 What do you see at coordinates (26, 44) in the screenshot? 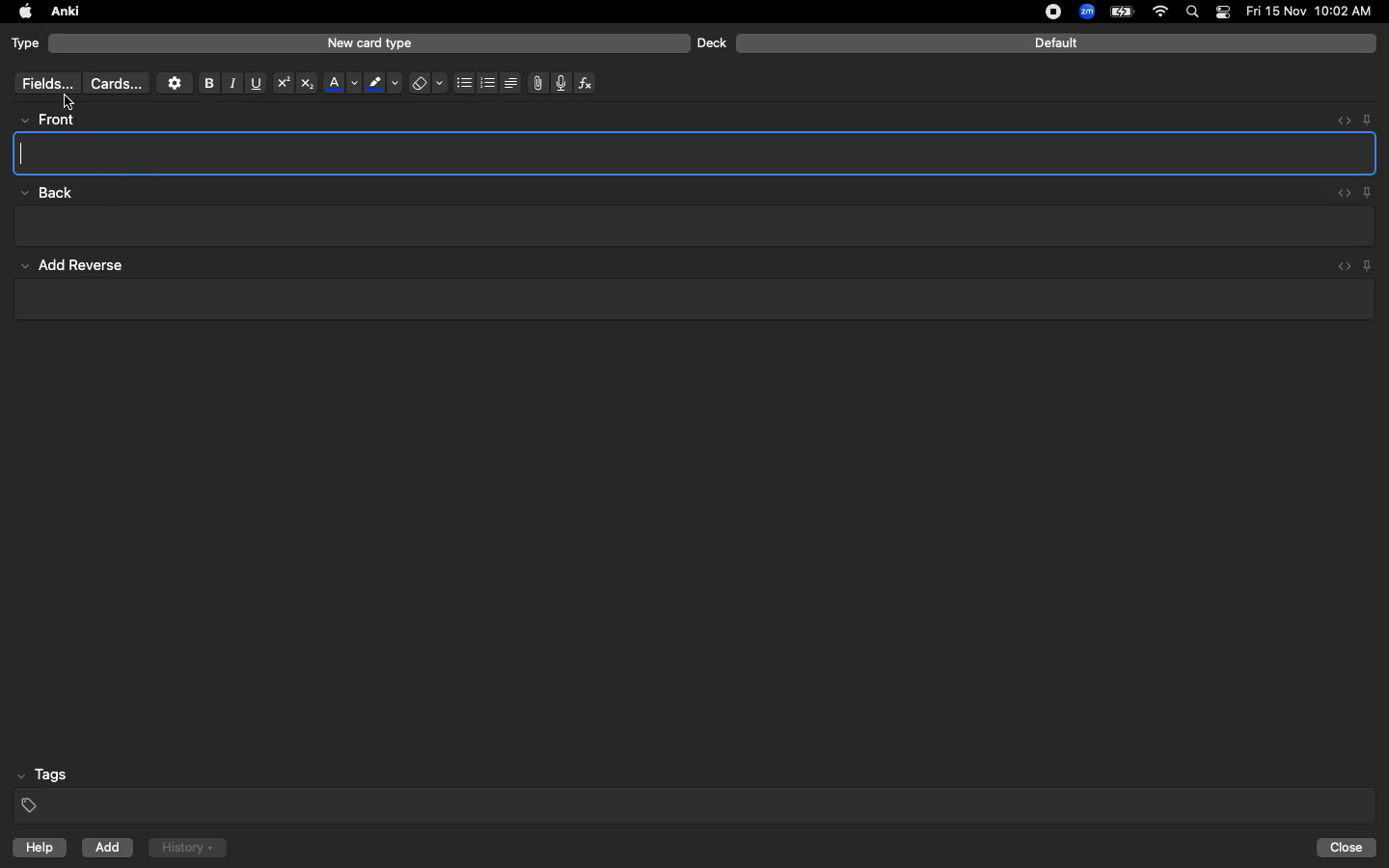
I see `Type` at bounding box center [26, 44].